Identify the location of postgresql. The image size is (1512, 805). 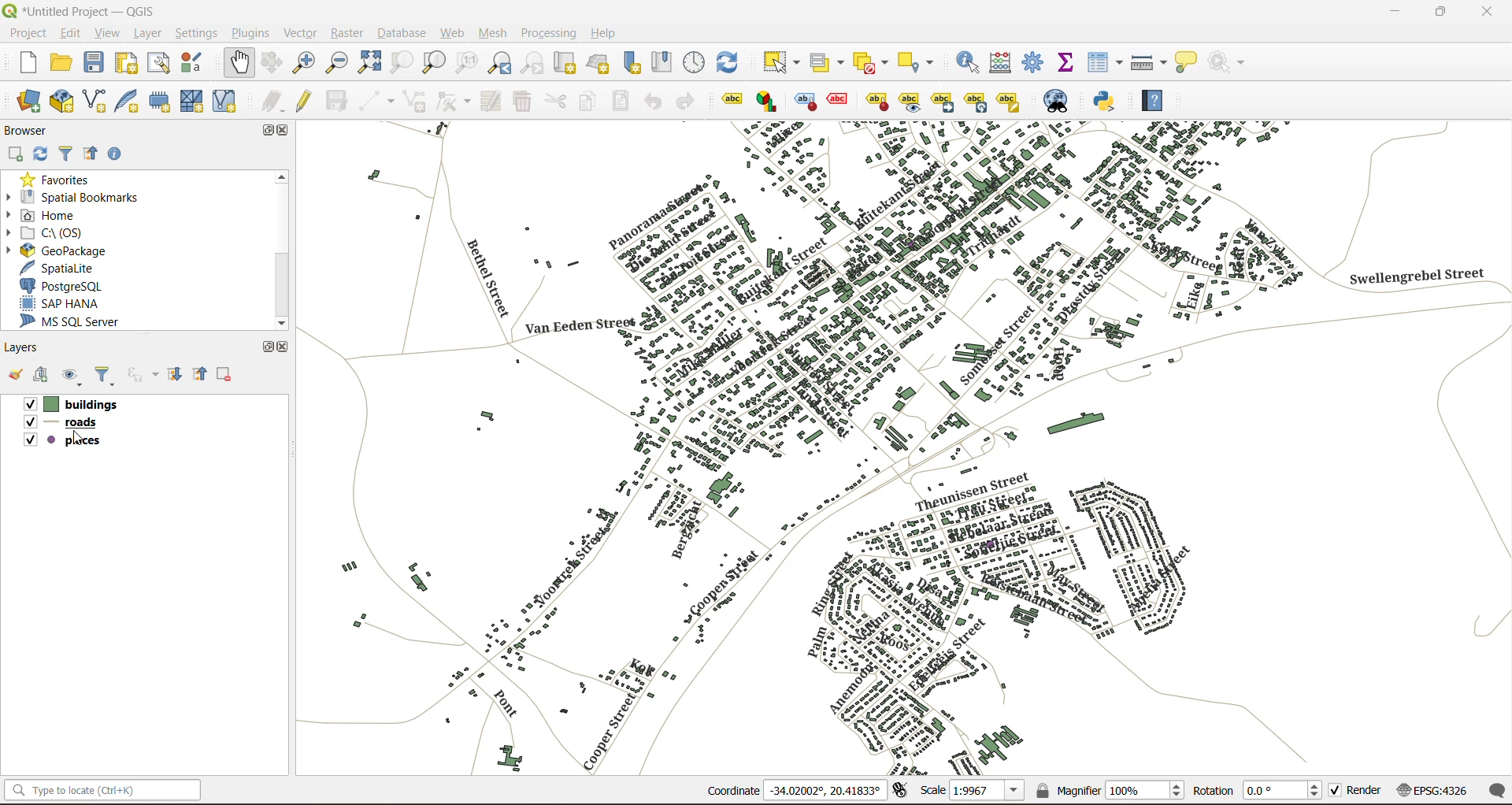
(69, 284).